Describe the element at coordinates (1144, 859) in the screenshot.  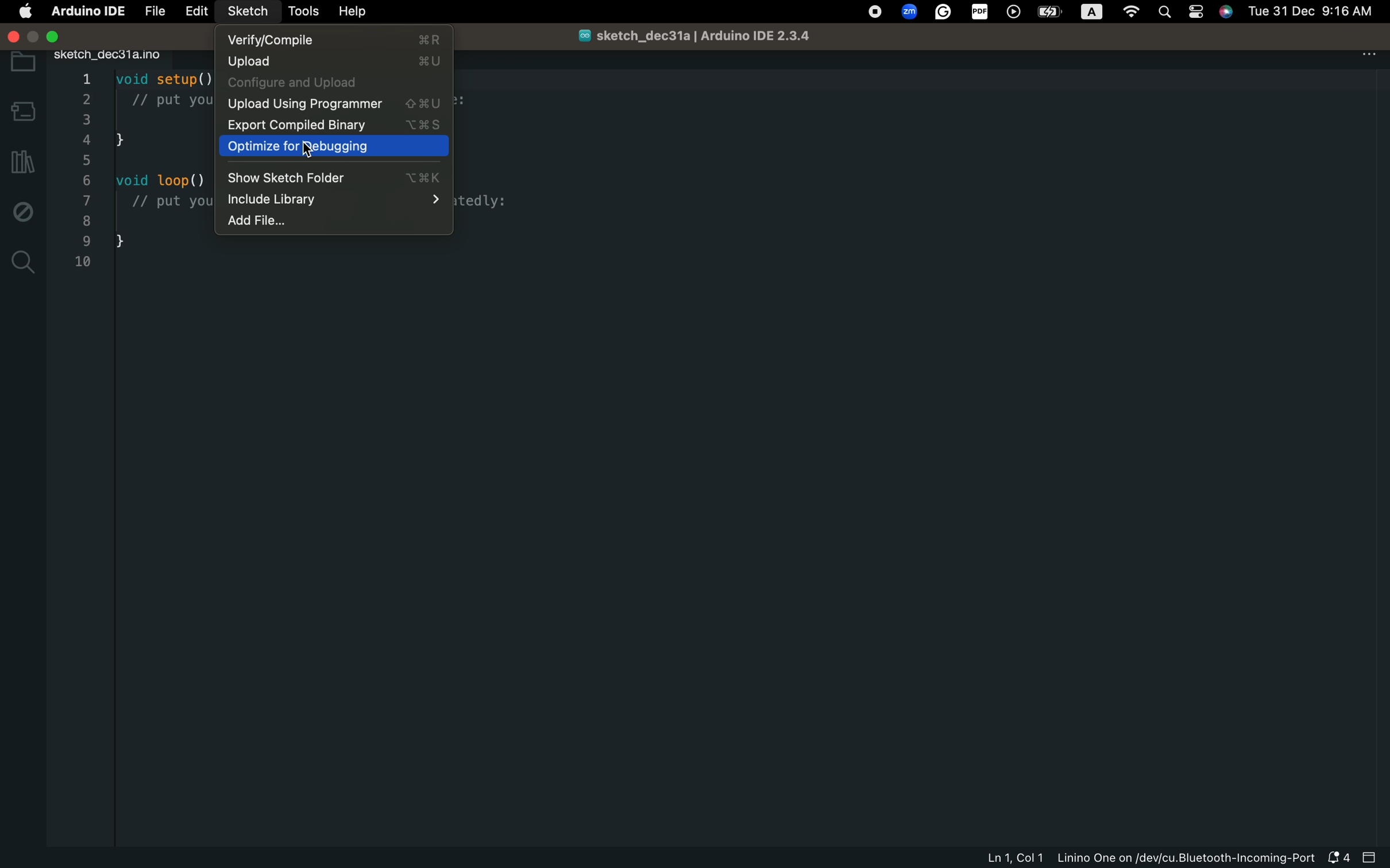
I see `file information` at that location.